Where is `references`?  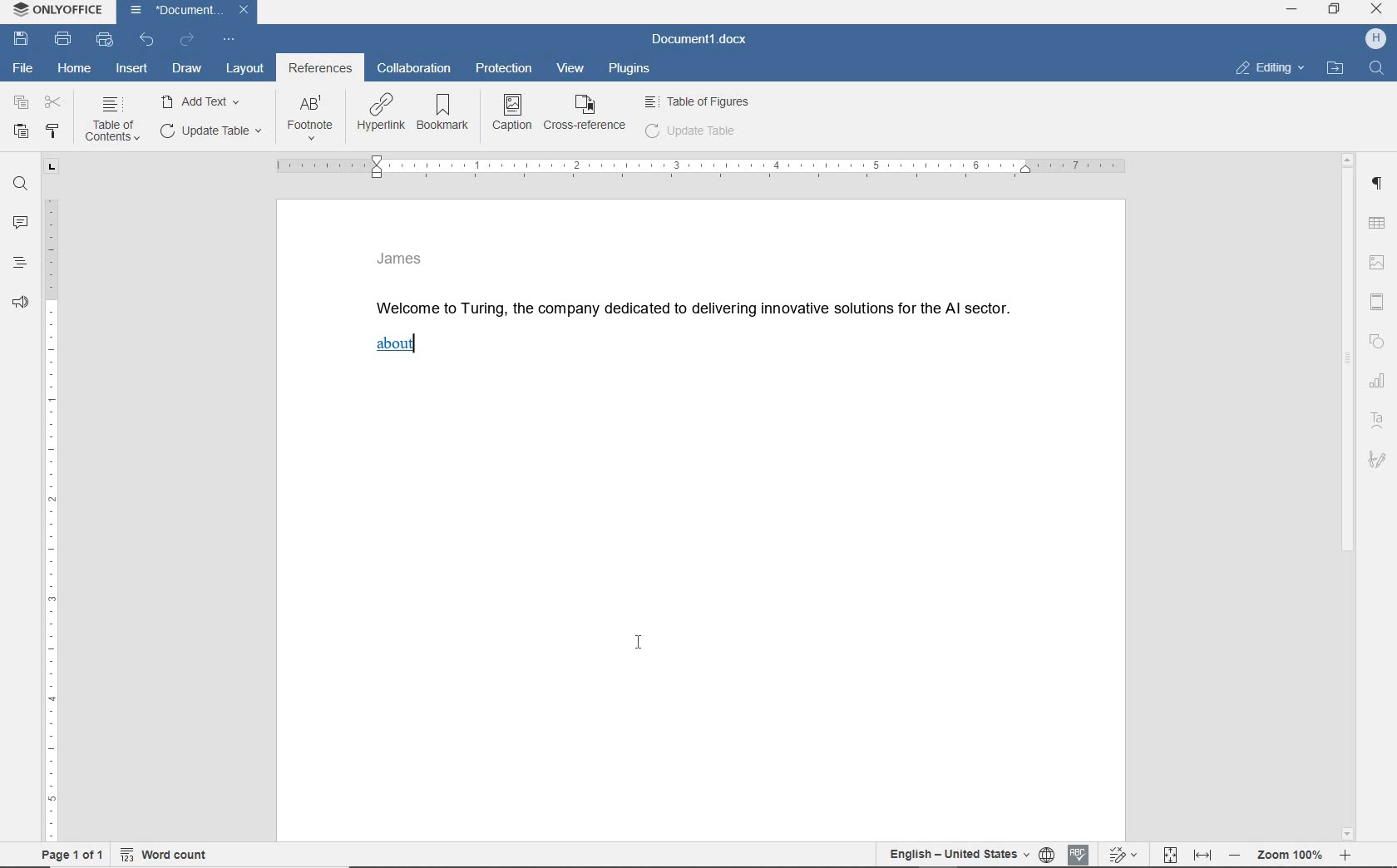 references is located at coordinates (320, 70).